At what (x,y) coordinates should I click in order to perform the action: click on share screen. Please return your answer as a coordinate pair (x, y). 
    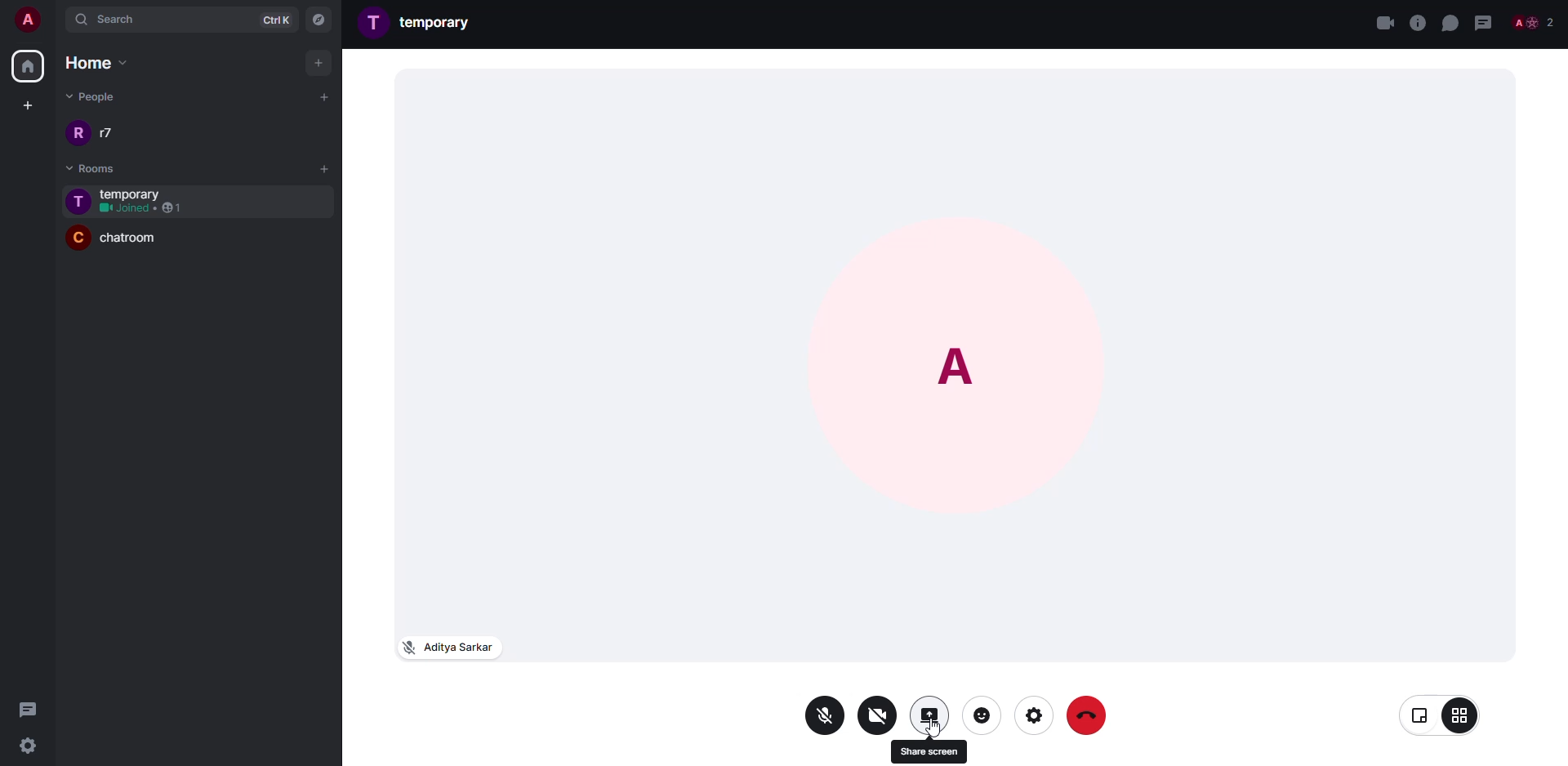
    Looking at the image, I should click on (929, 715).